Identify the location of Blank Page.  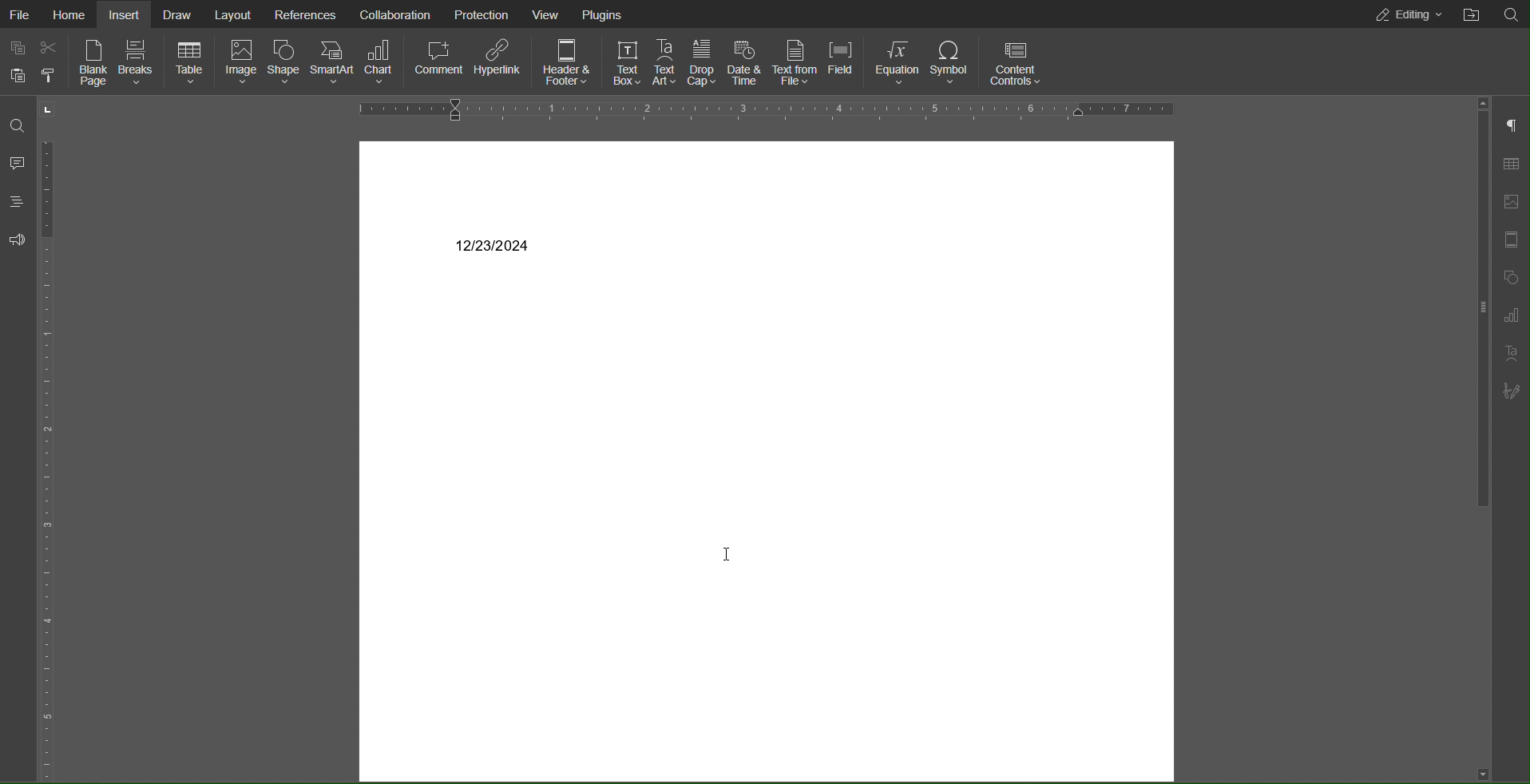
(91, 65).